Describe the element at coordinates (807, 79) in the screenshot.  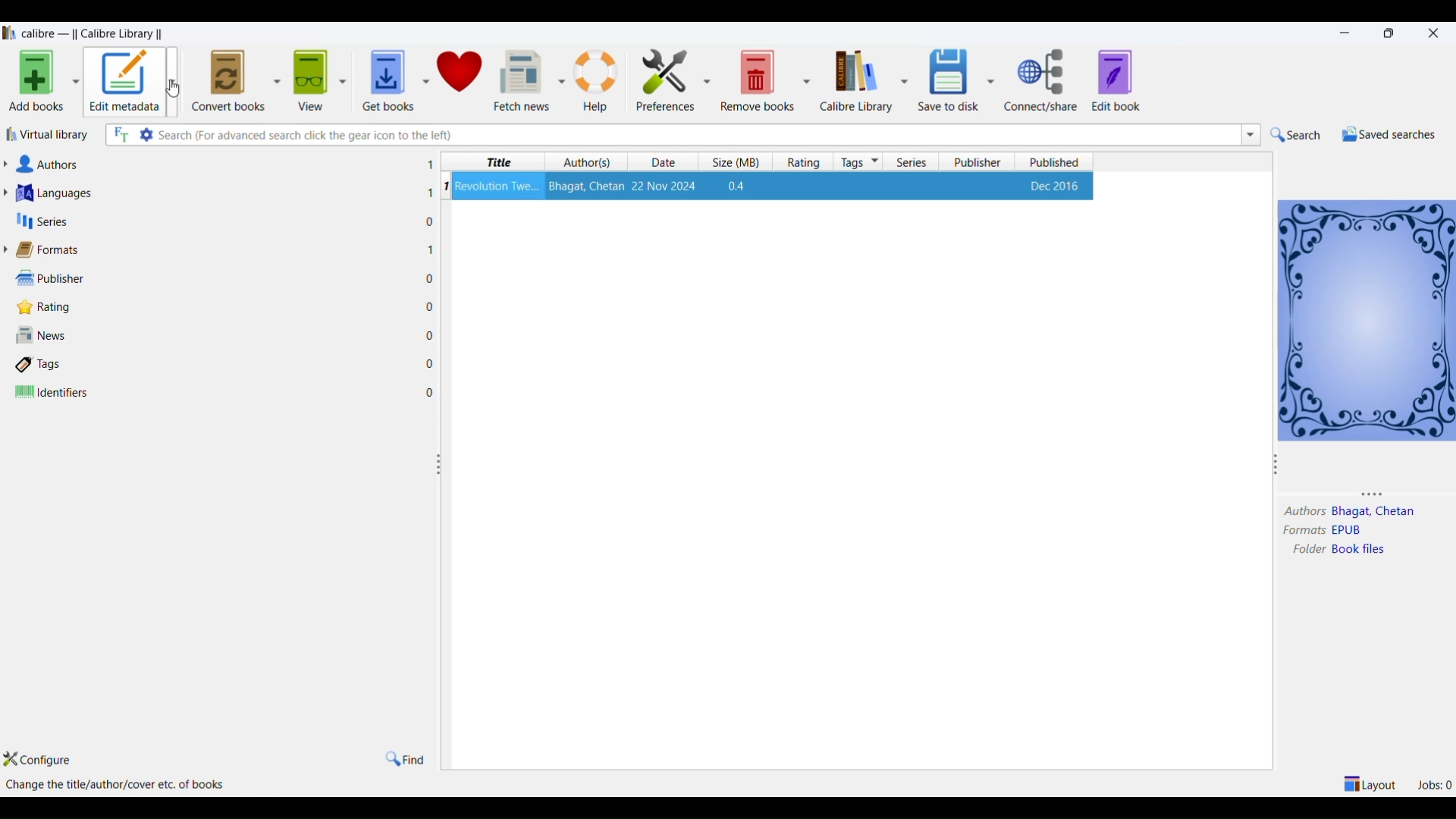
I see `remove books options dropdown button` at that location.